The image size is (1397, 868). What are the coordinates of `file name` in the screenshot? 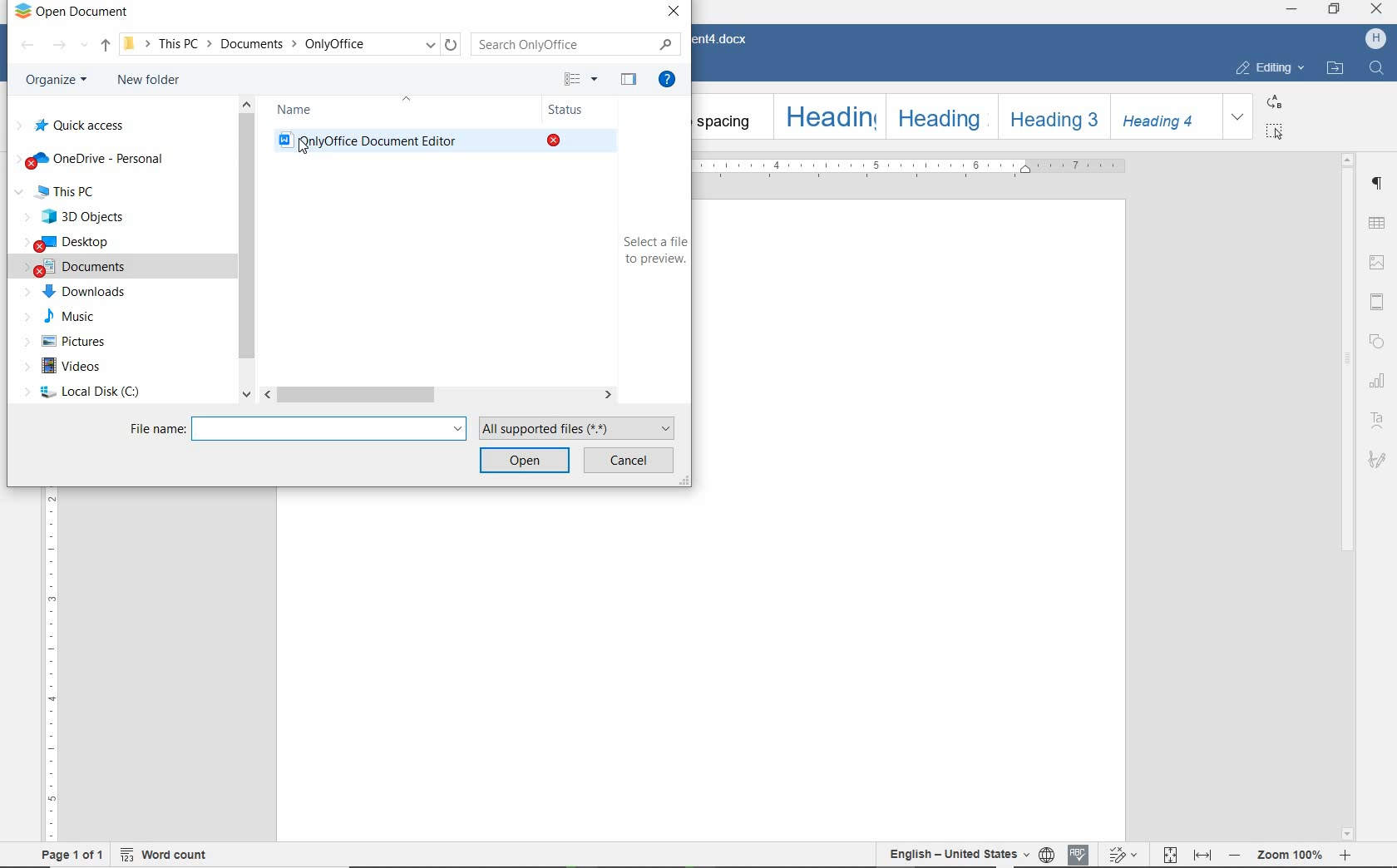 It's located at (299, 429).